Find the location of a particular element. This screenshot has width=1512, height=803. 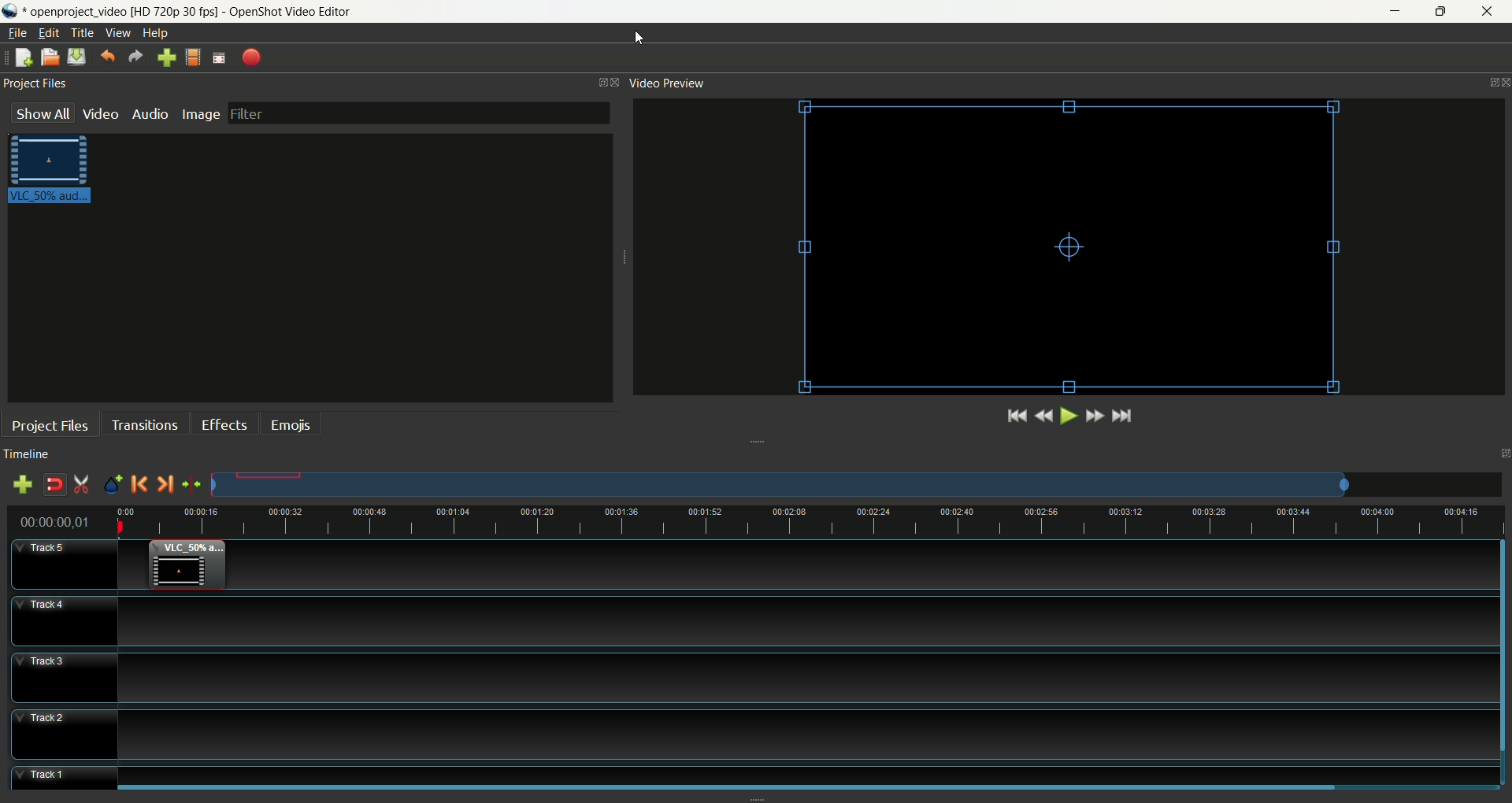

cursor is located at coordinates (636, 39).